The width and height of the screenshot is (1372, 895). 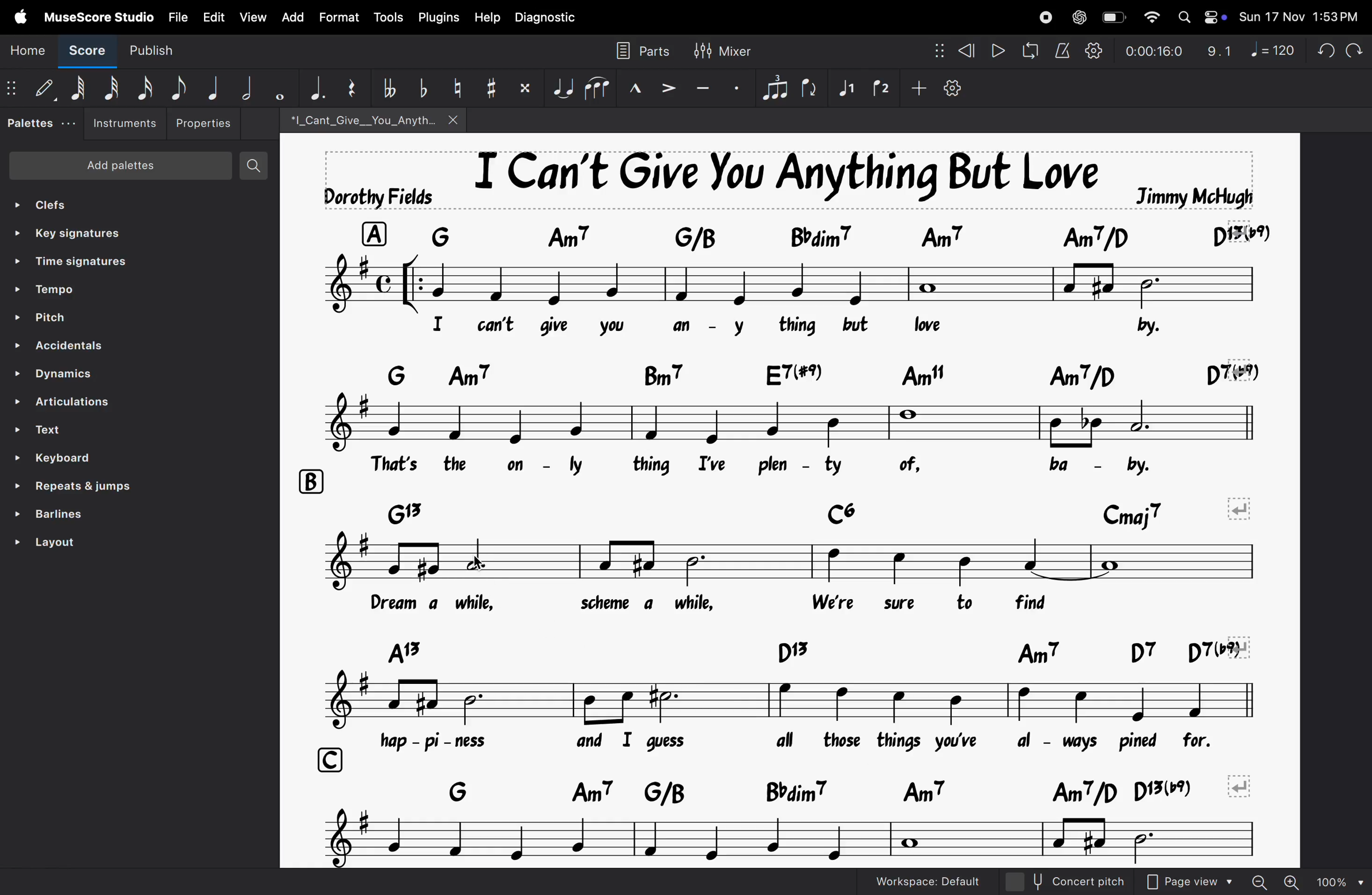 I want to click on help, so click(x=487, y=19).